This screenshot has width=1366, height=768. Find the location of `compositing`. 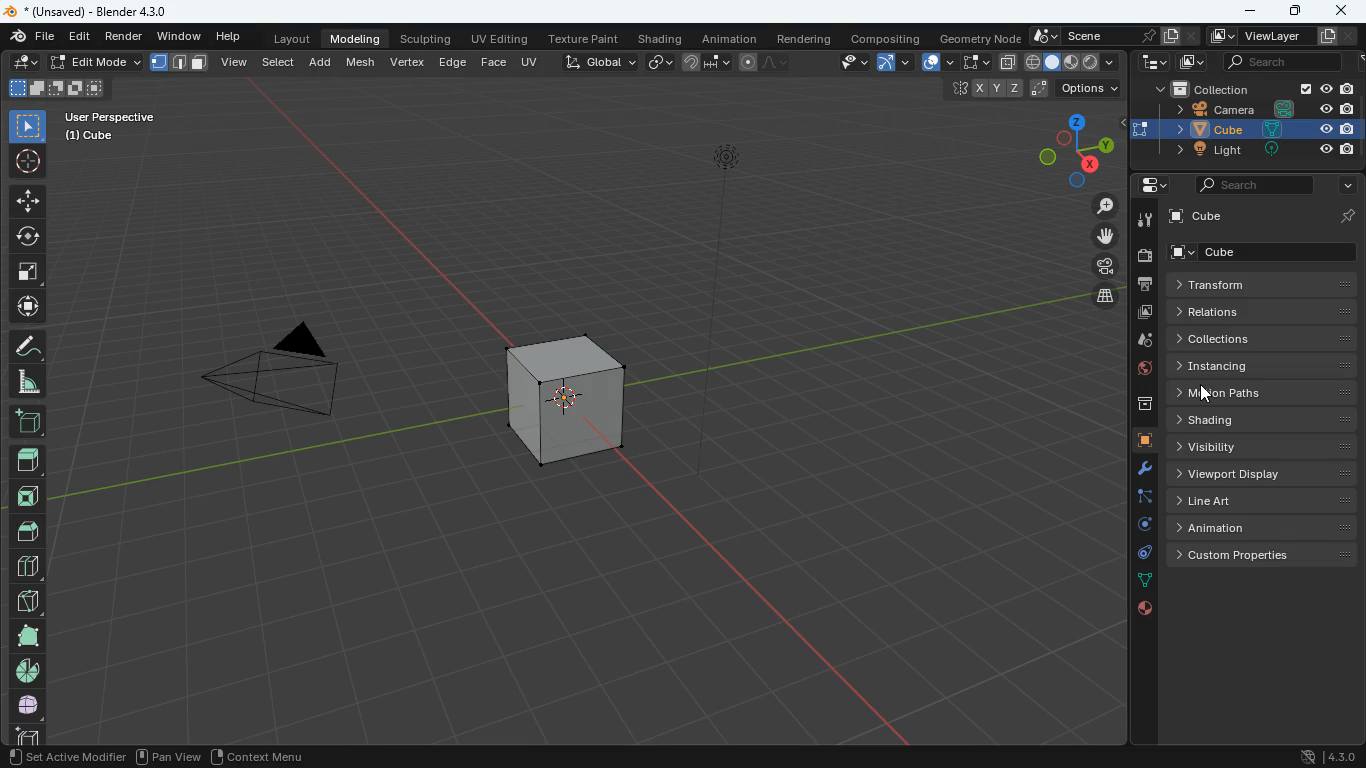

compositing is located at coordinates (888, 38).